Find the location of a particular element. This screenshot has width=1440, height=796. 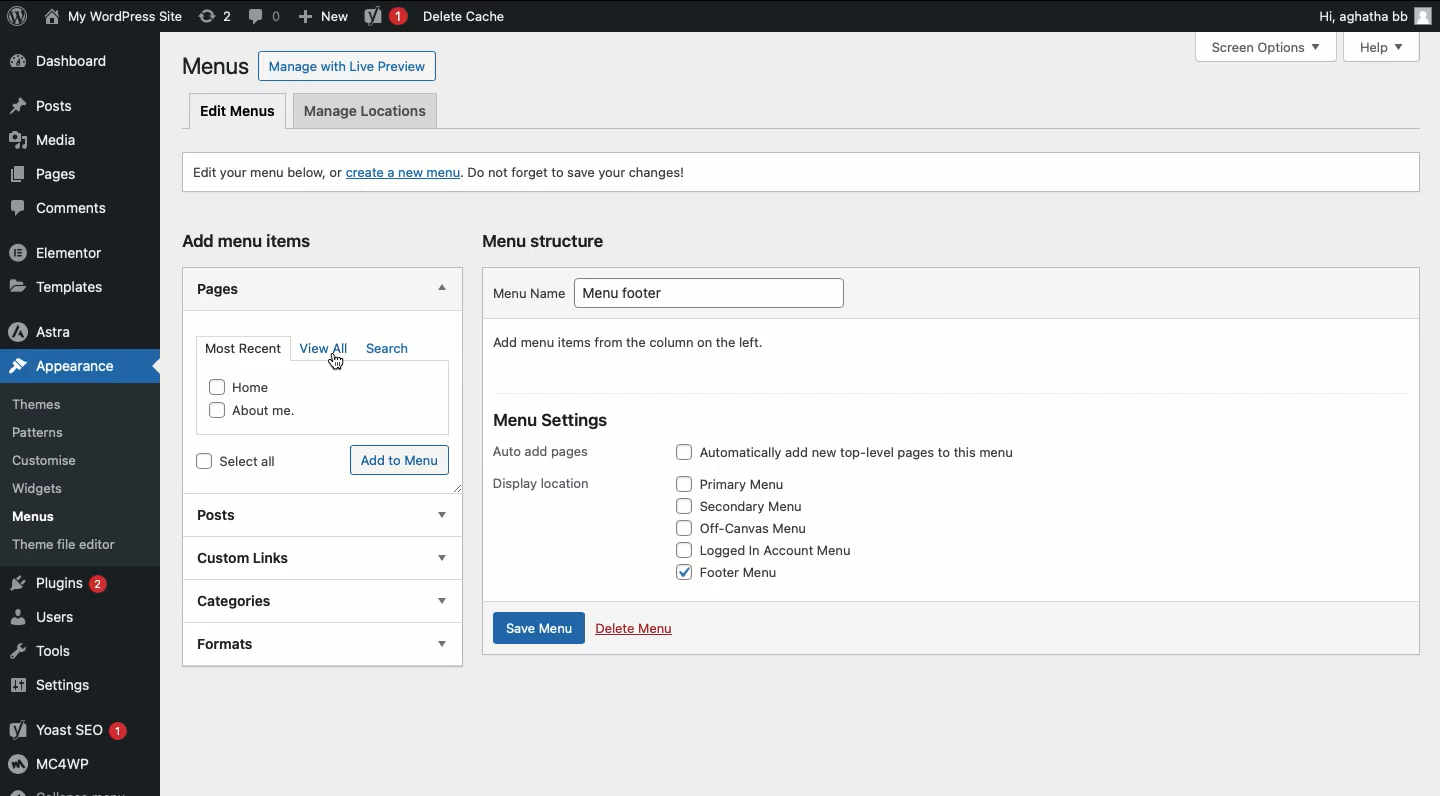

Menu name is located at coordinates (521, 293).